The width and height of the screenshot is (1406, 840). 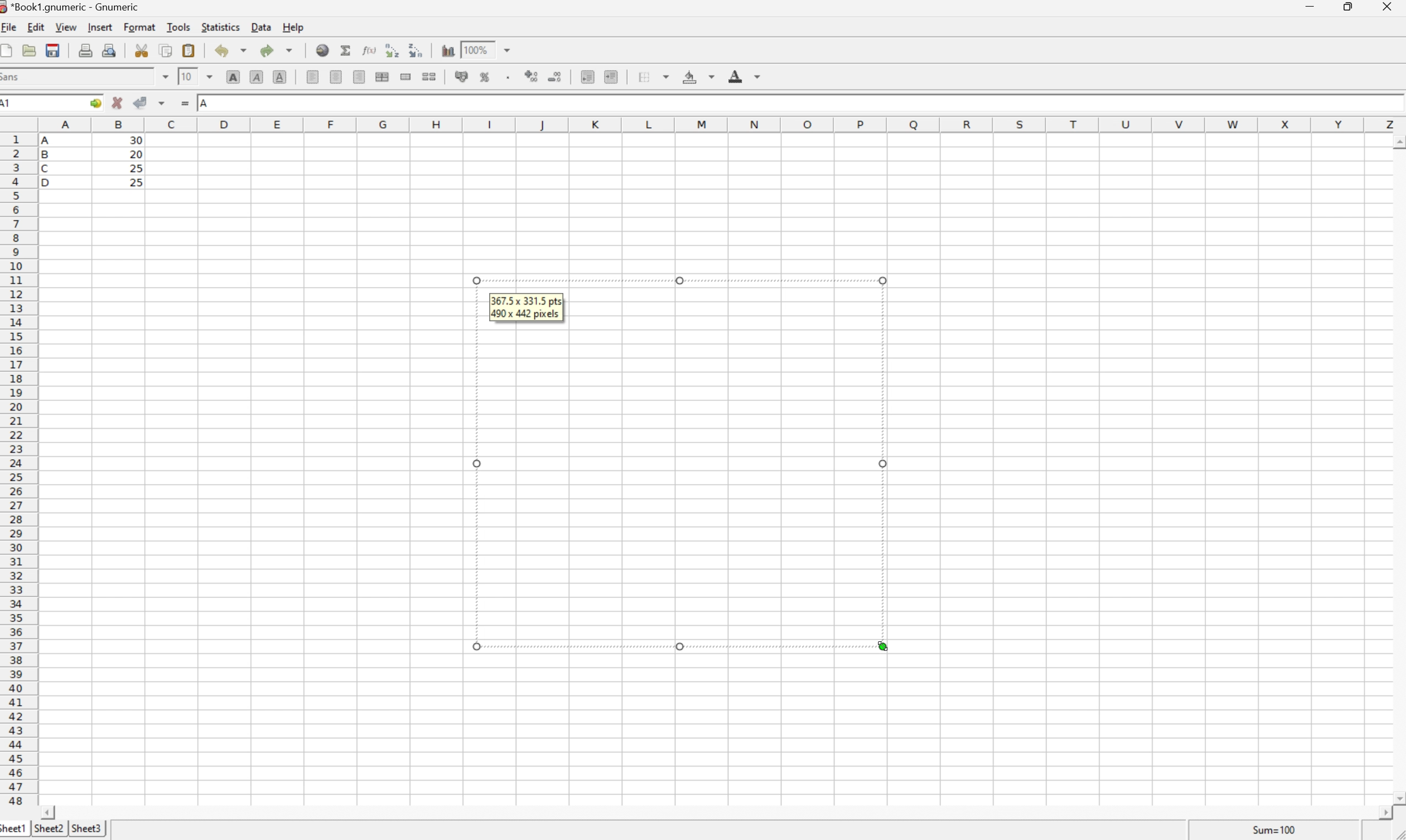 What do you see at coordinates (260, 27) in the screenshot?
I see `Data` at bounding box center [260, 27].